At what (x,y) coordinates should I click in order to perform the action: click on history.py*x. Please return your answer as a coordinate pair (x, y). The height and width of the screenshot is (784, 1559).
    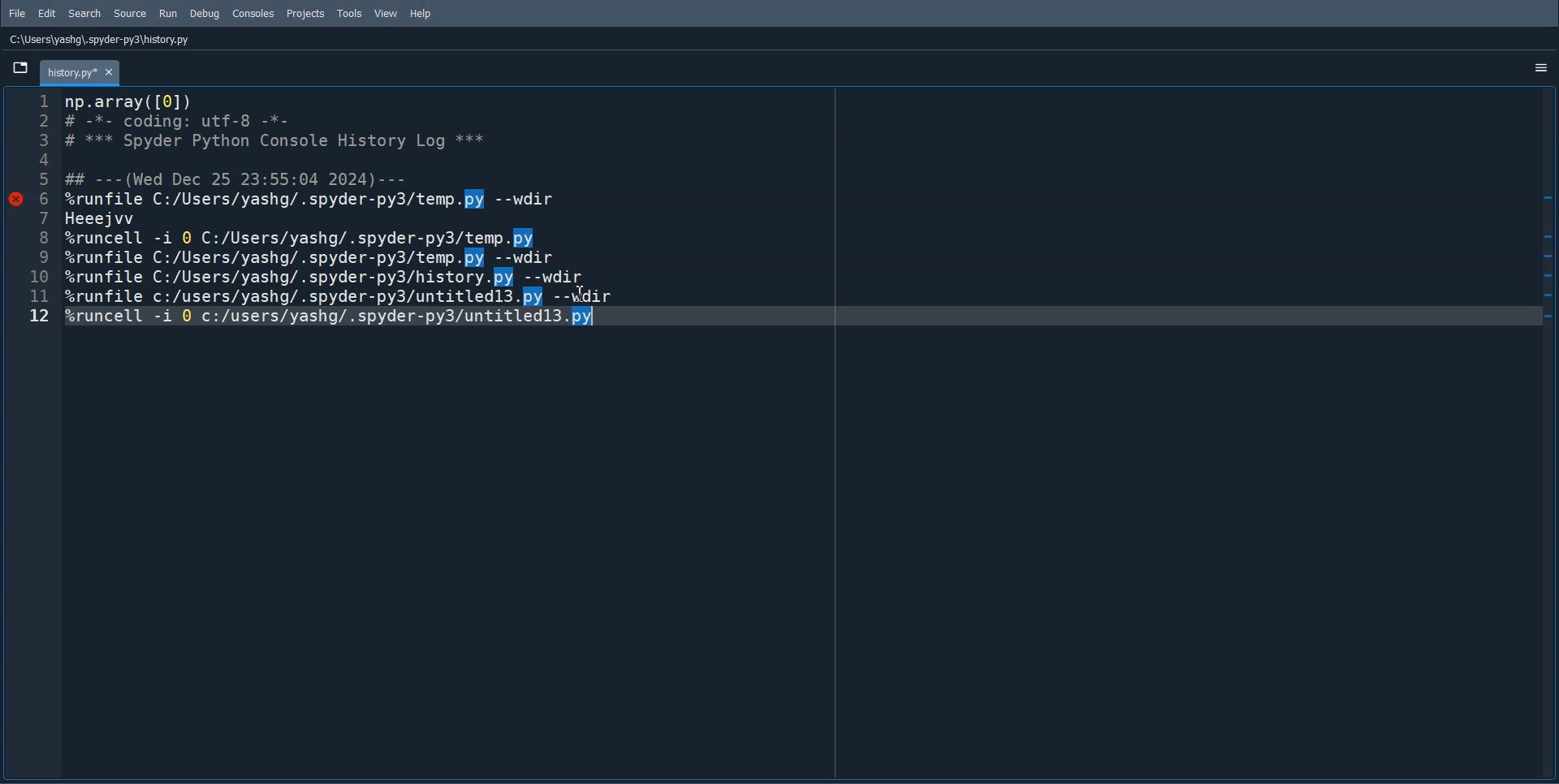
    Looking at the image, I should click on (80, 72).